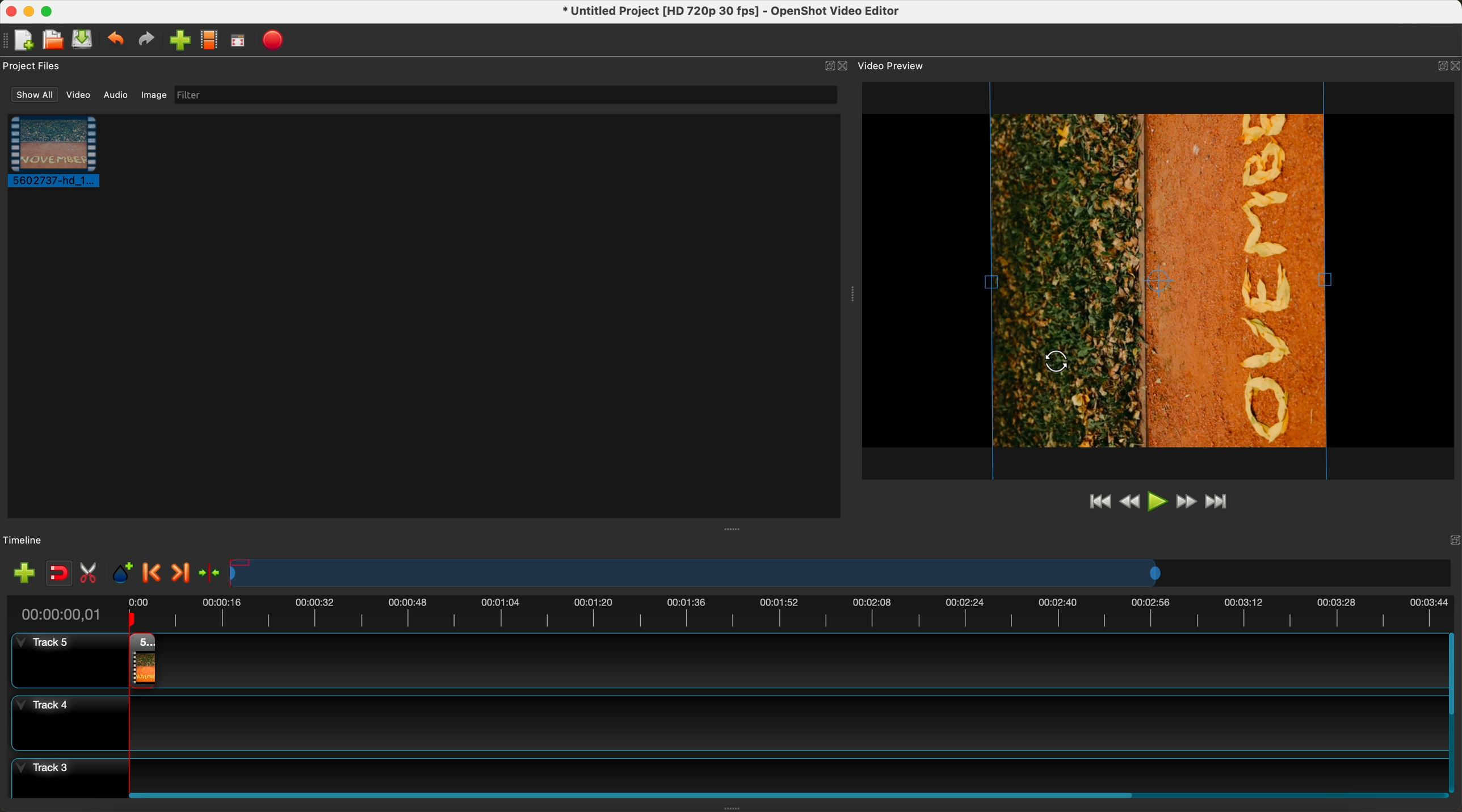 The width and height of the screenshot is (1462, 812). Describe the element at coordinates (274, 40) in the screenshot. I see `export video` at that location.